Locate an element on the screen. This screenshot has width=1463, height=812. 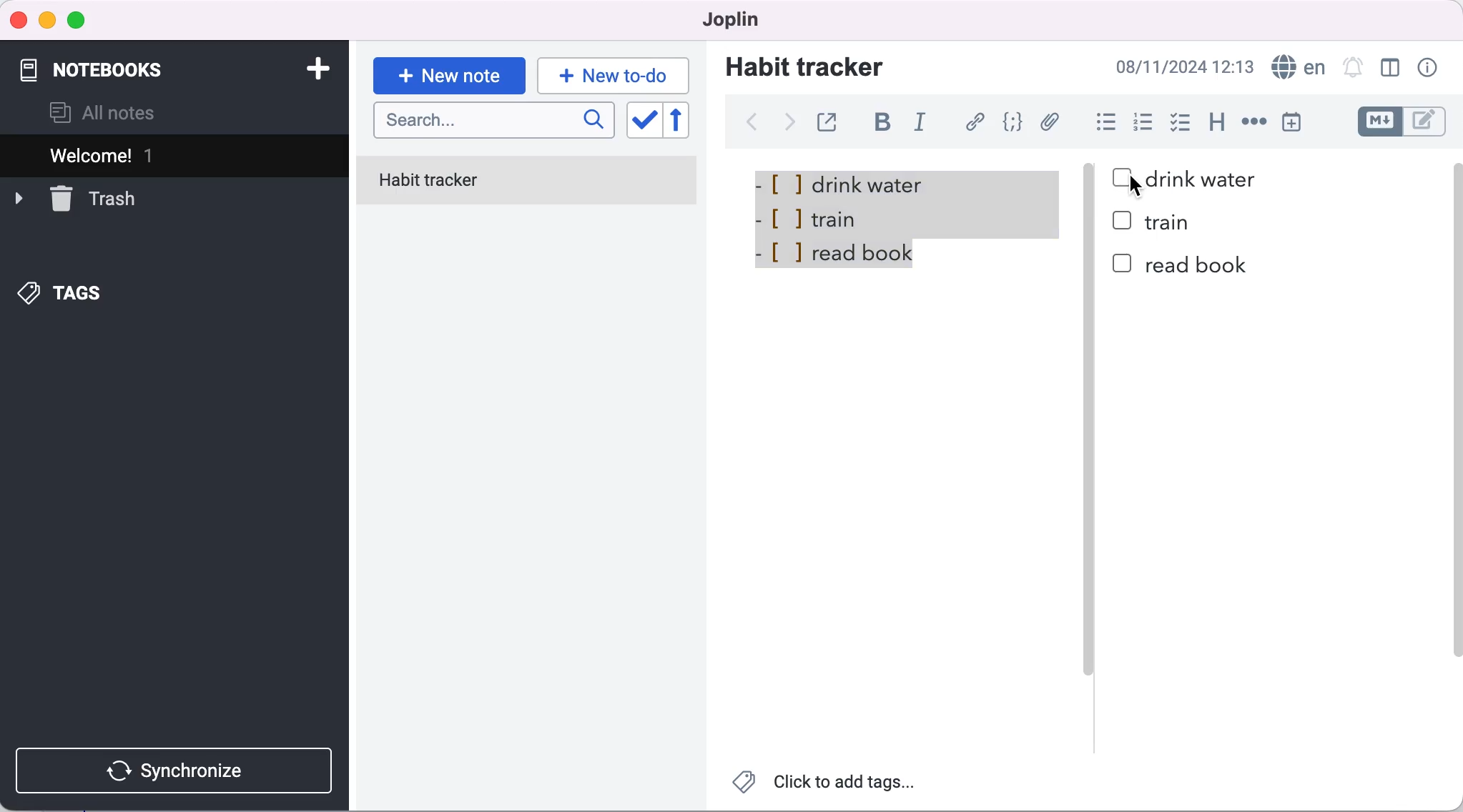
check box 2 is located at coordinates (1124, 221).